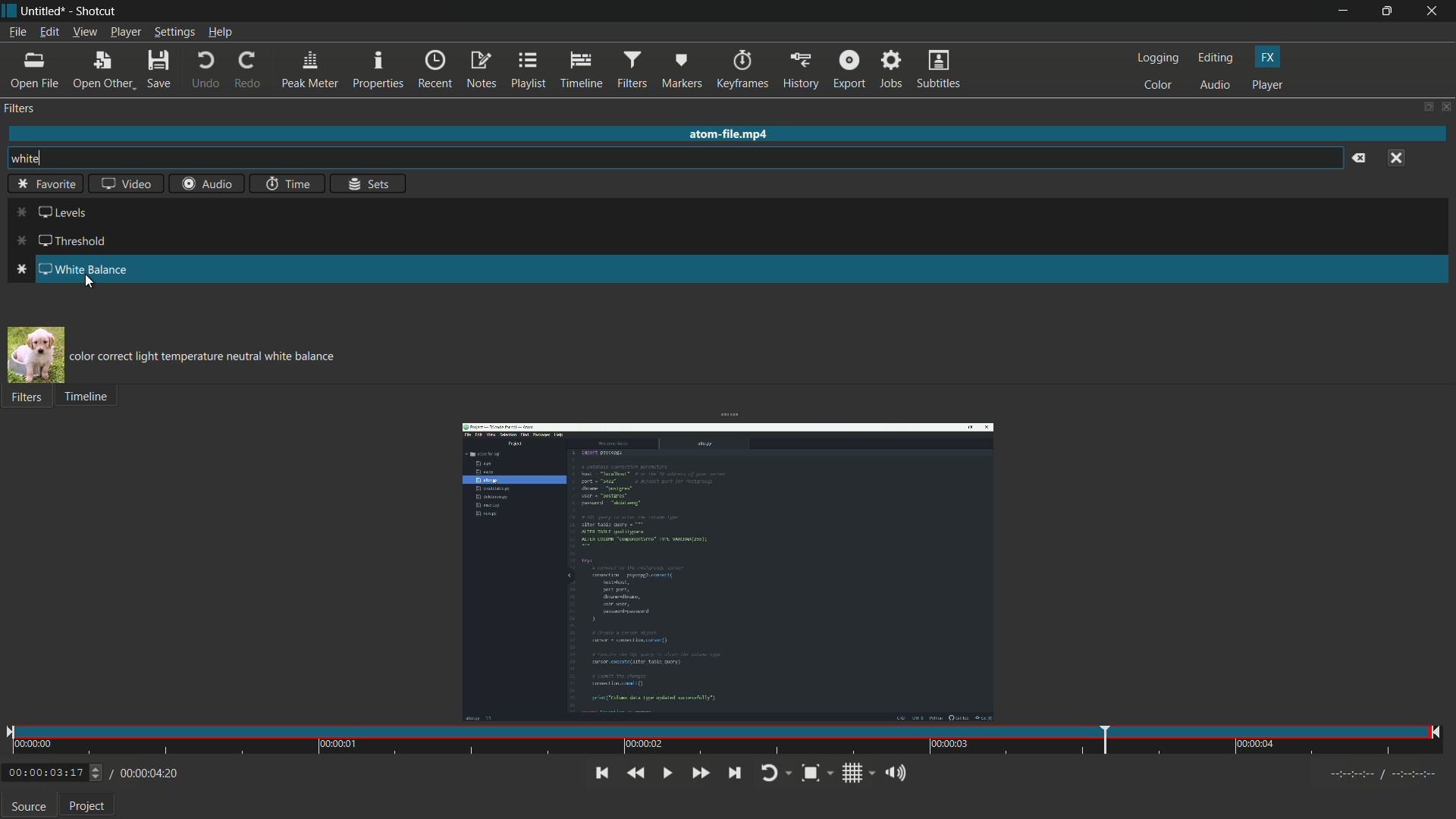  Describe the element at coordinates (379, 71) in the screenshot. I see `properties` at that location.